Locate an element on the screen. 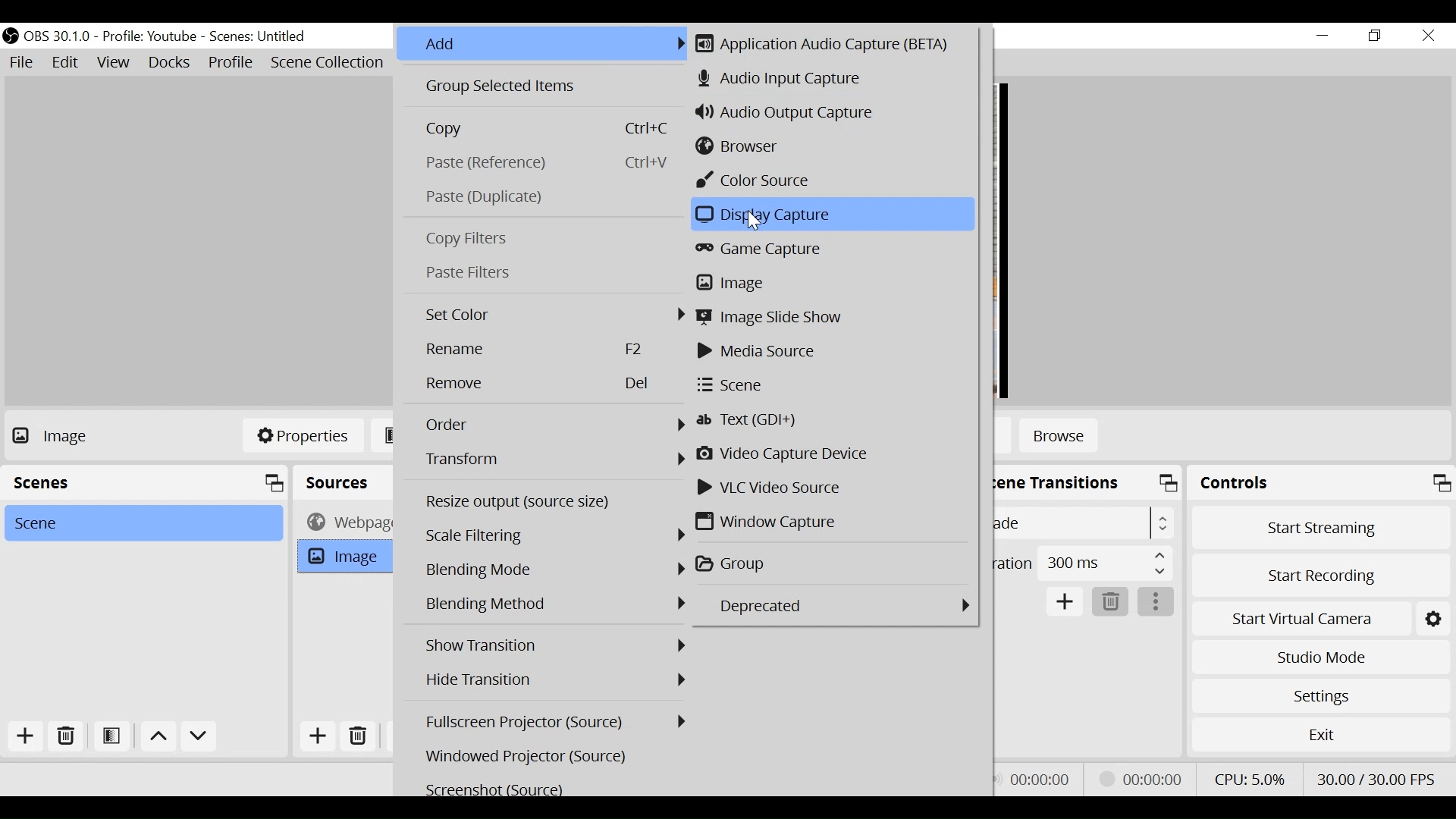 The image size is (1456, 819). Screenshot is located at coordinates (554, 788).